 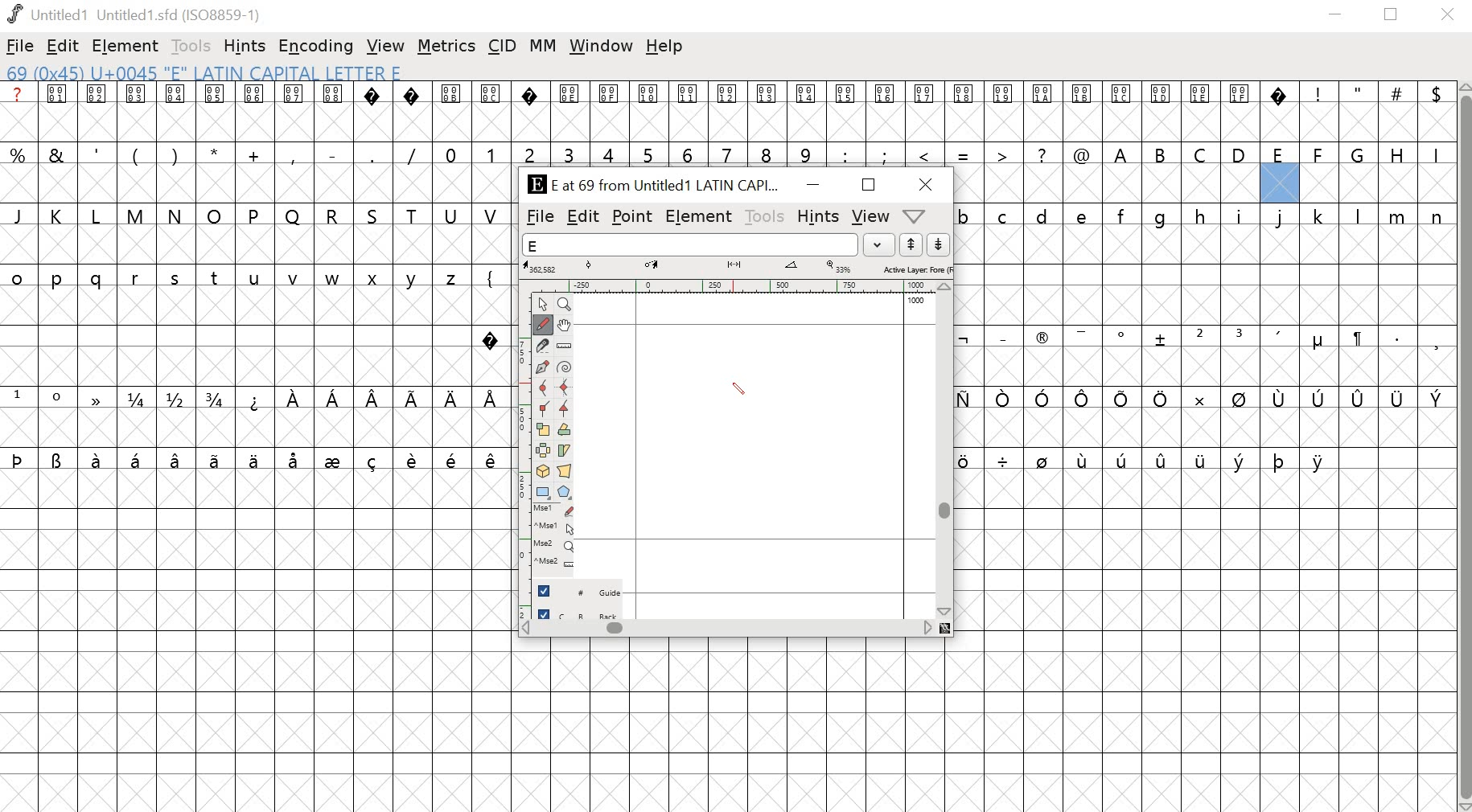 What do you see at coordinates (553, 546) in the screenshot?
I see `Mouse wheel button` at bounding box center [553, 546].